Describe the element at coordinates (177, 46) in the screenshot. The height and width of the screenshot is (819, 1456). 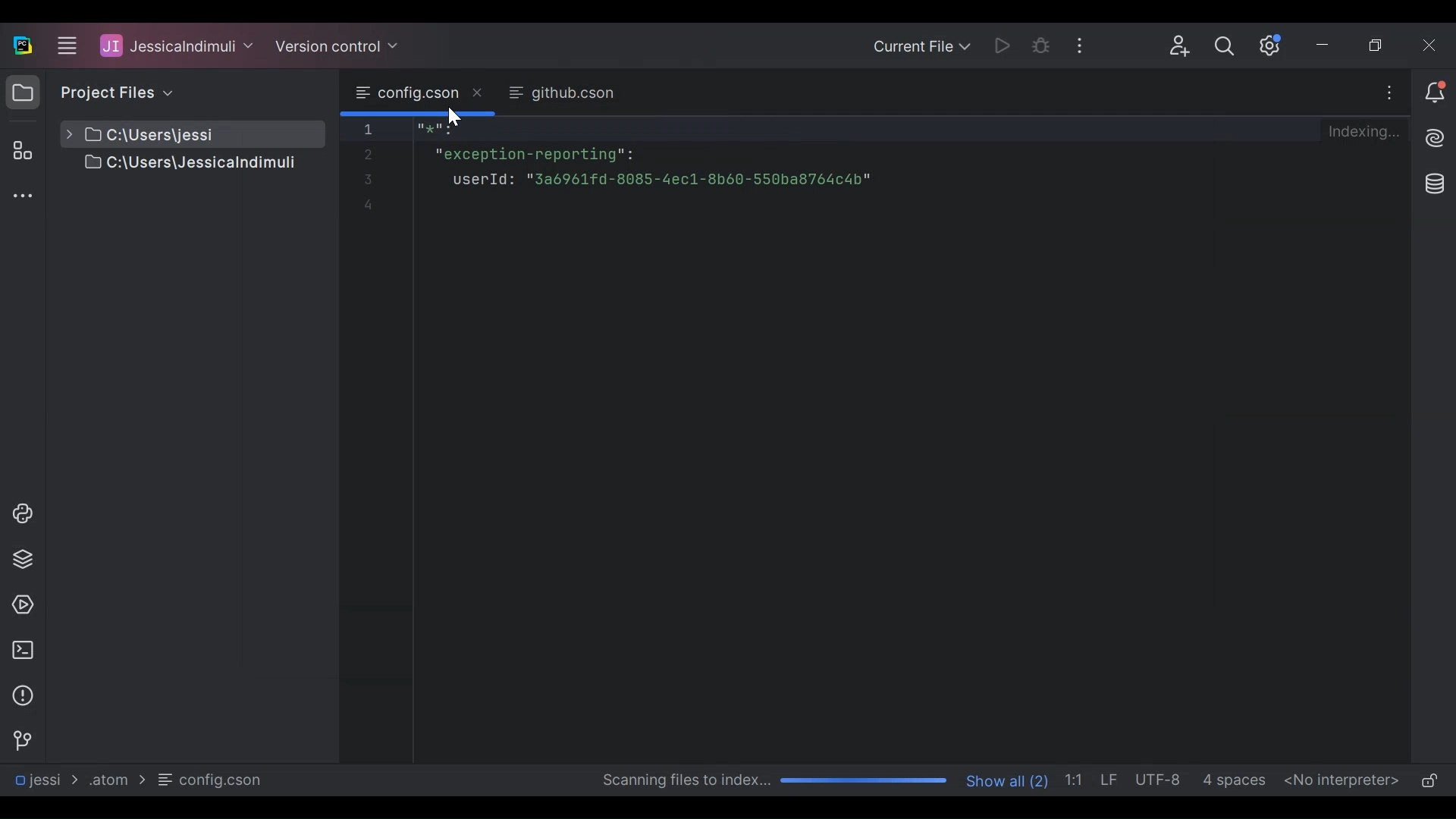
I see `Project File User` at that location.